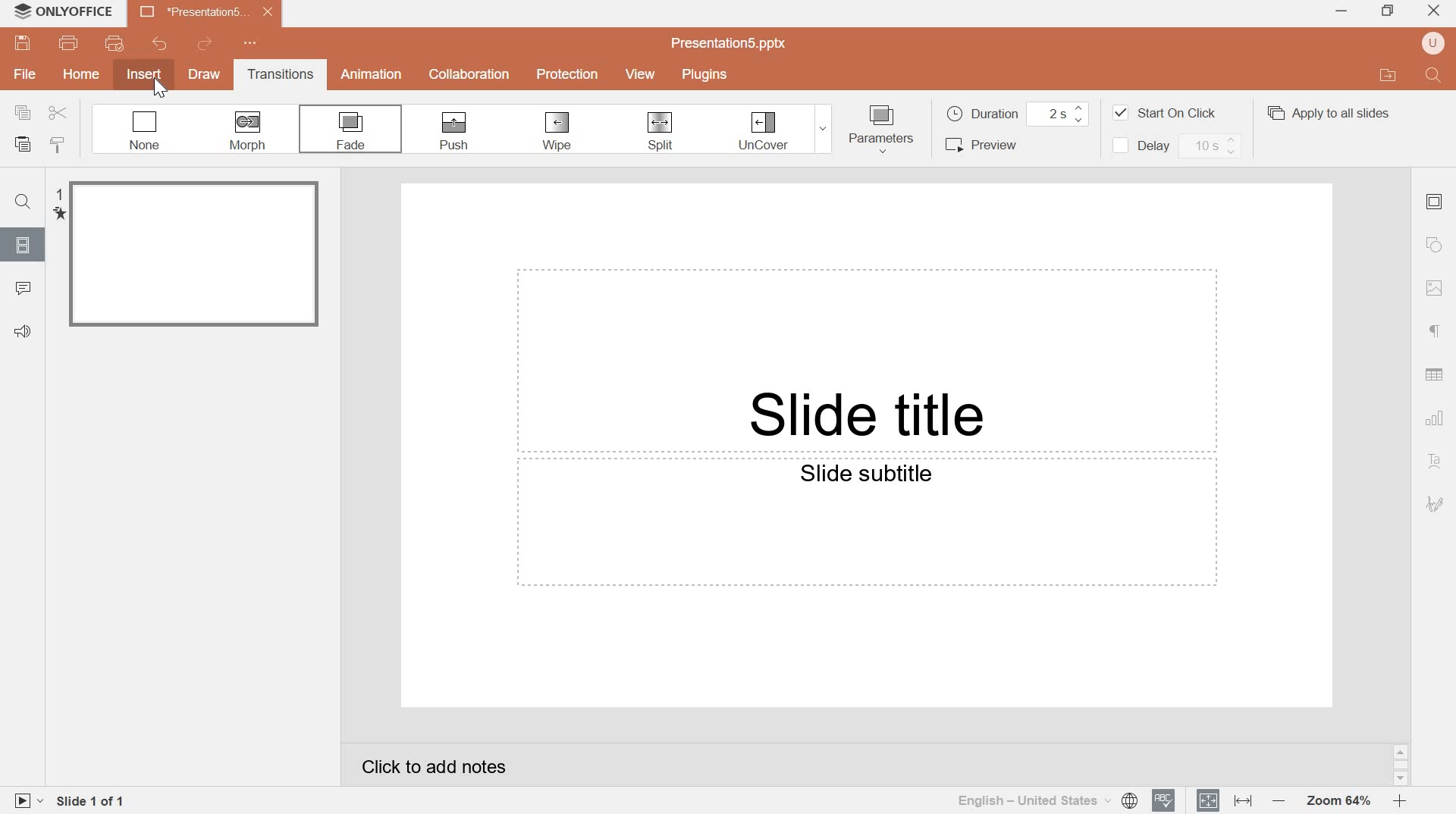  Describe the element at coordinates (20, 244) in the screenshot. I see `slides` at that location.